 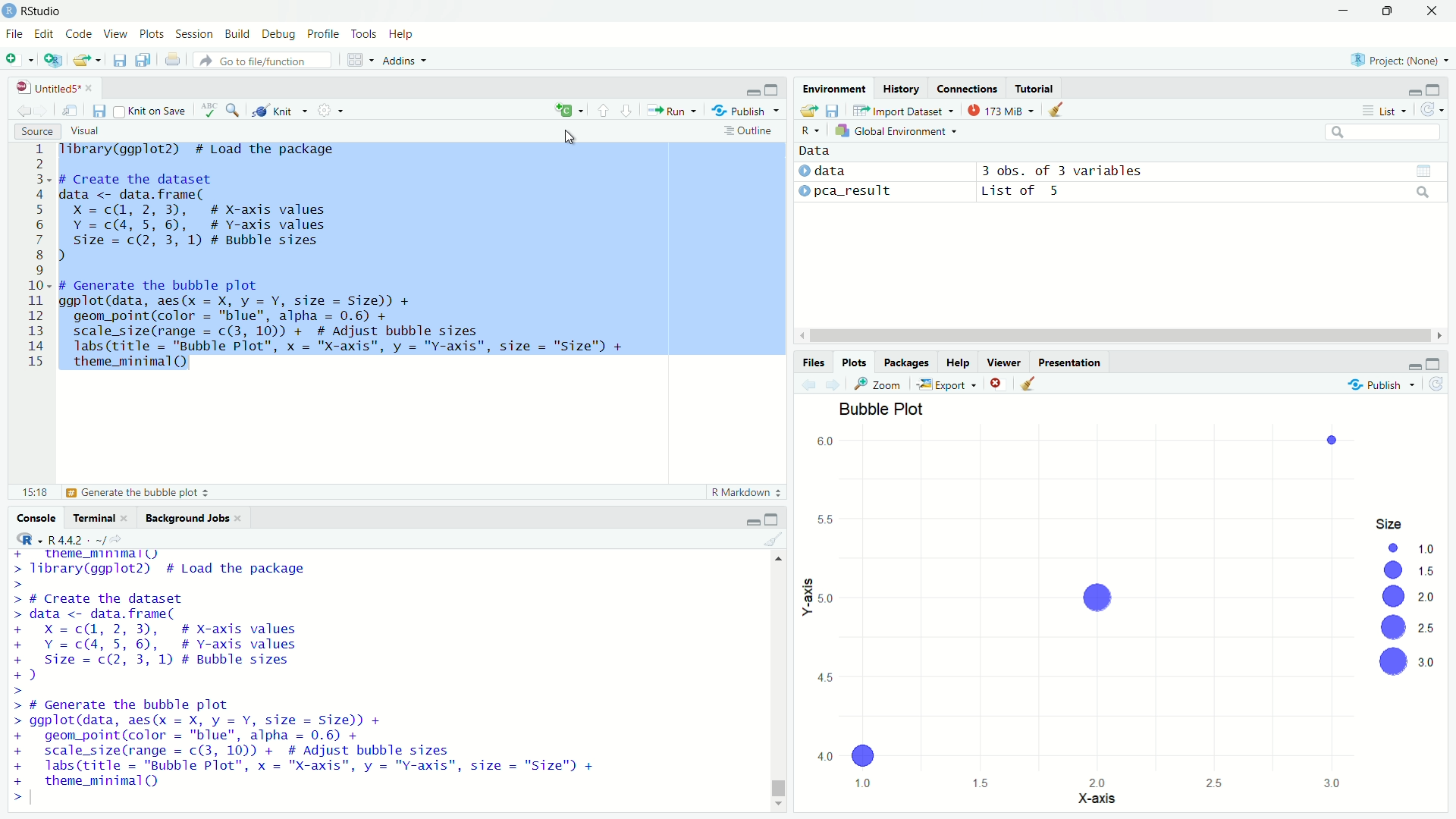 I want to click on generate the bubble plot , so click(x=116, y=493).